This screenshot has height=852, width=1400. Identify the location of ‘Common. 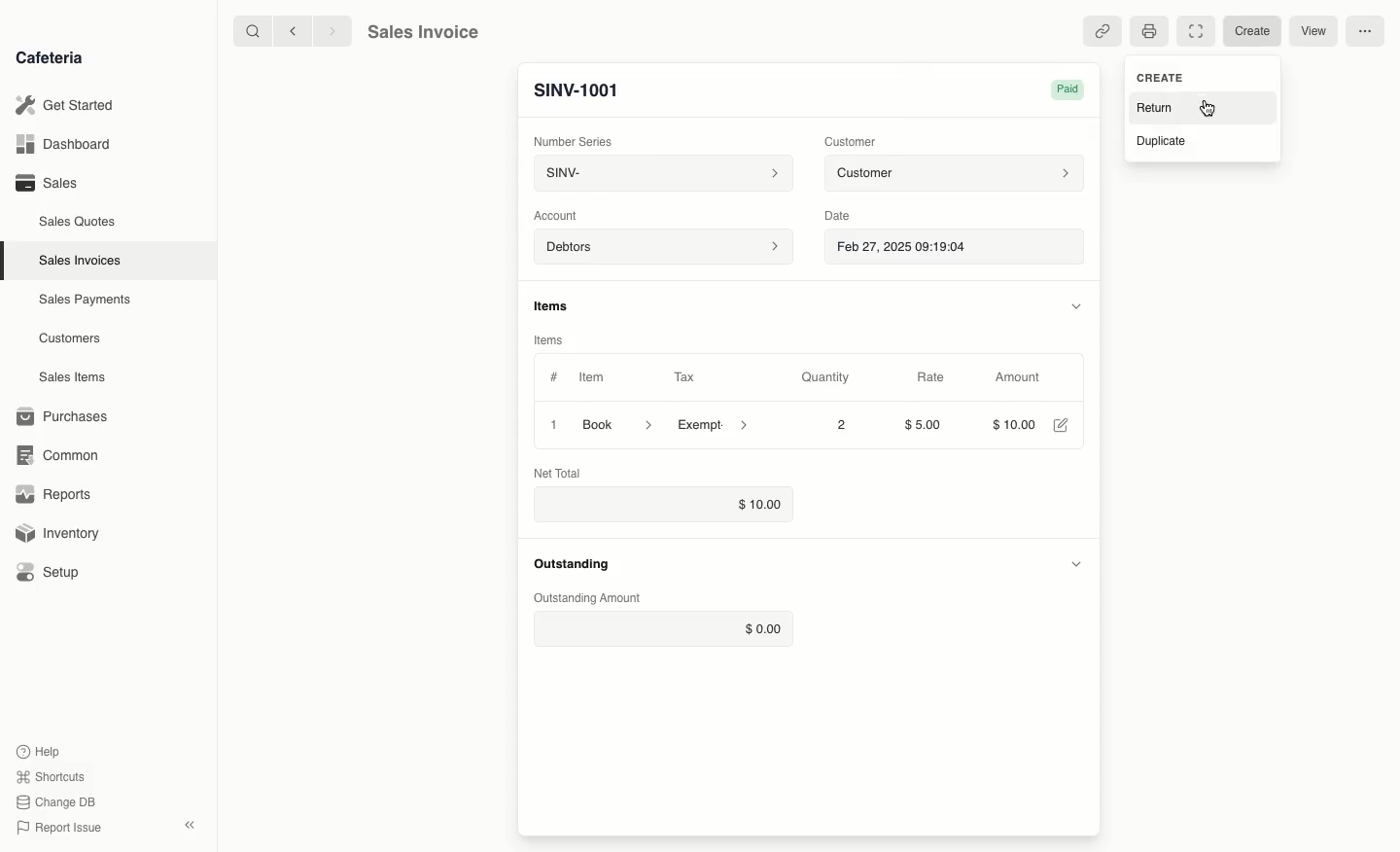
(58, 454).